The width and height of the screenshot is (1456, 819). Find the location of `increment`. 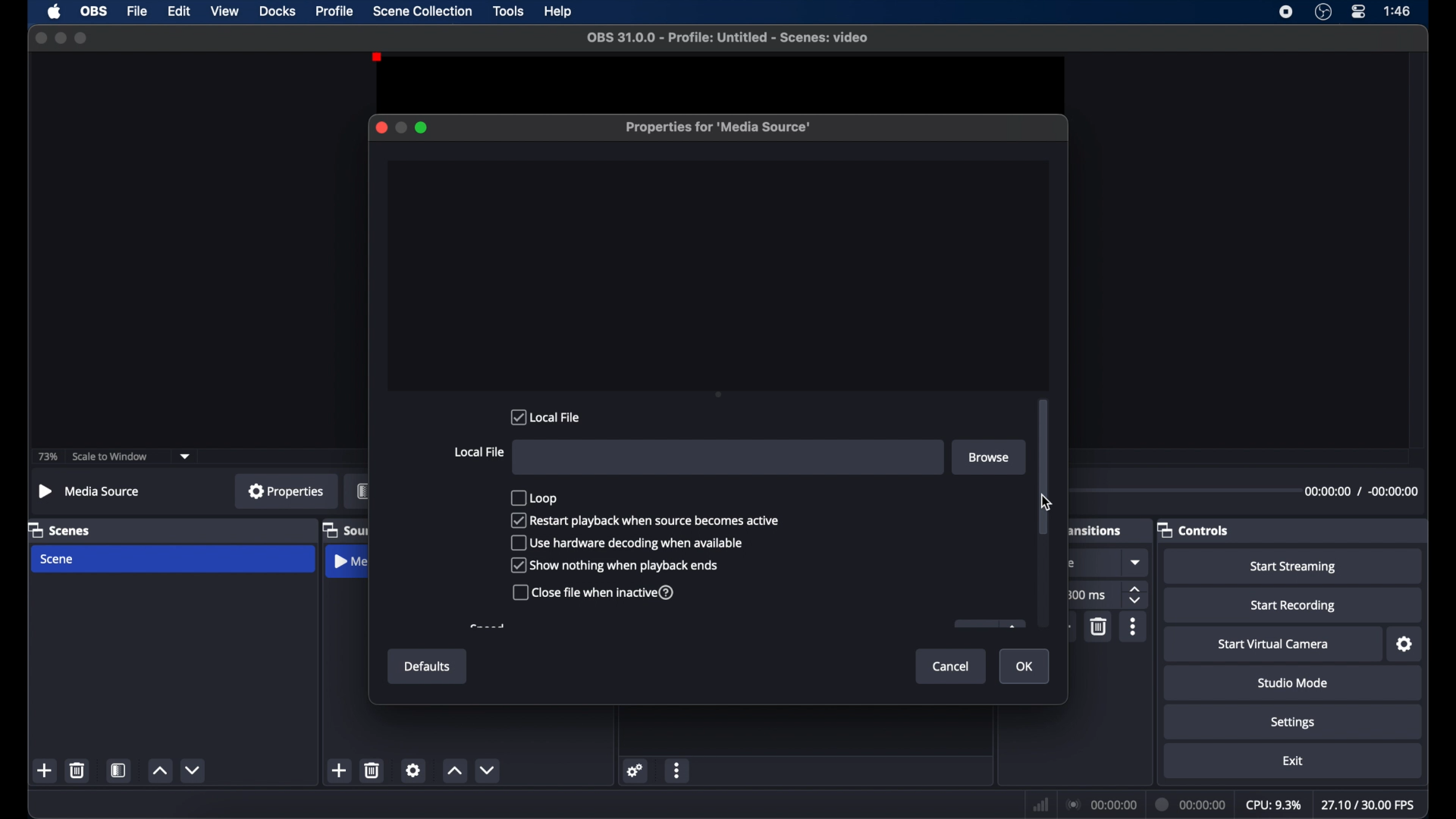

increment is located at coordinates (160, 770).